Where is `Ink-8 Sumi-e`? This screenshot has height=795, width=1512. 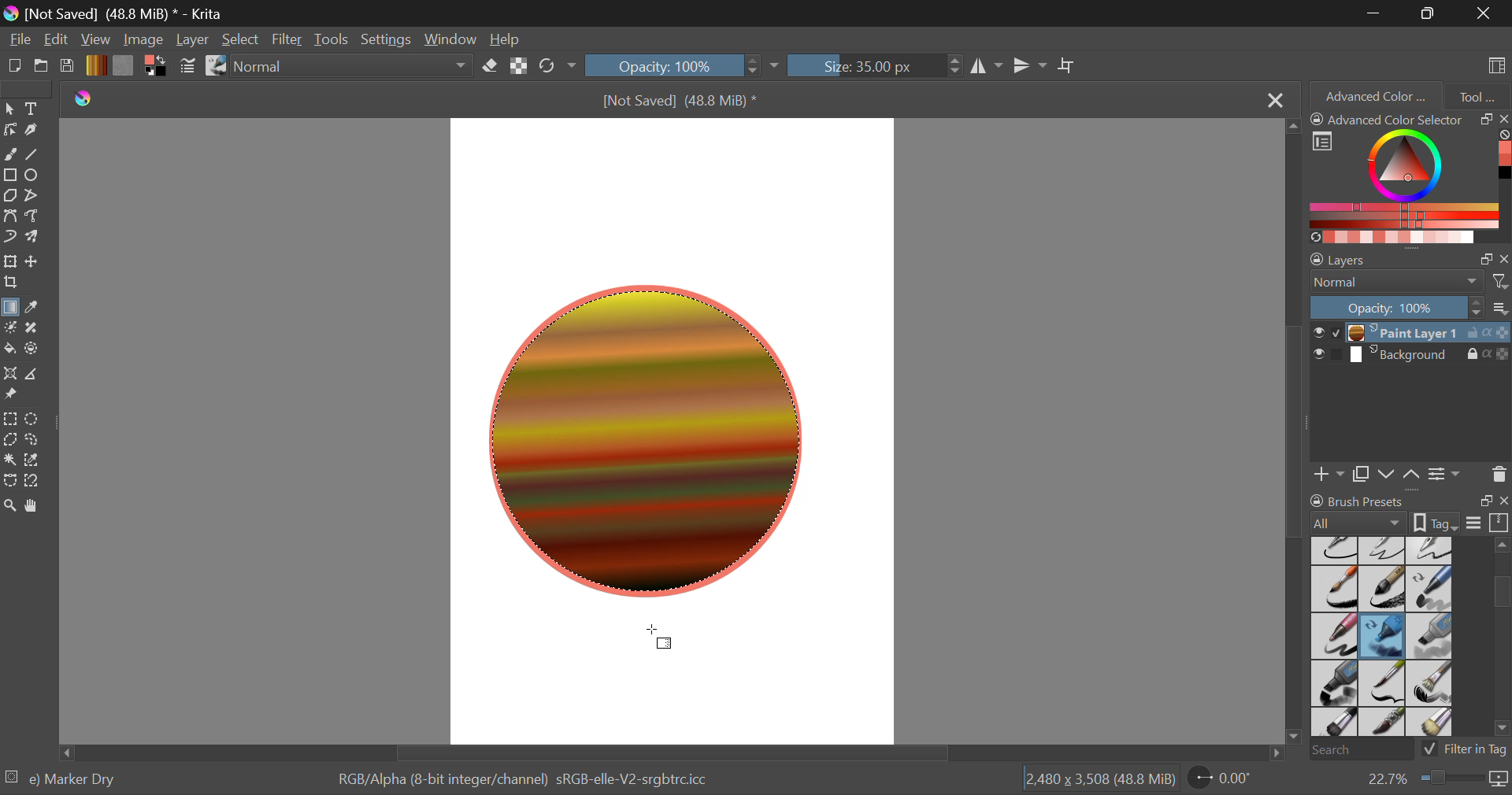 Ink-8 Sumi-e is located at coordinates (1382, 590).